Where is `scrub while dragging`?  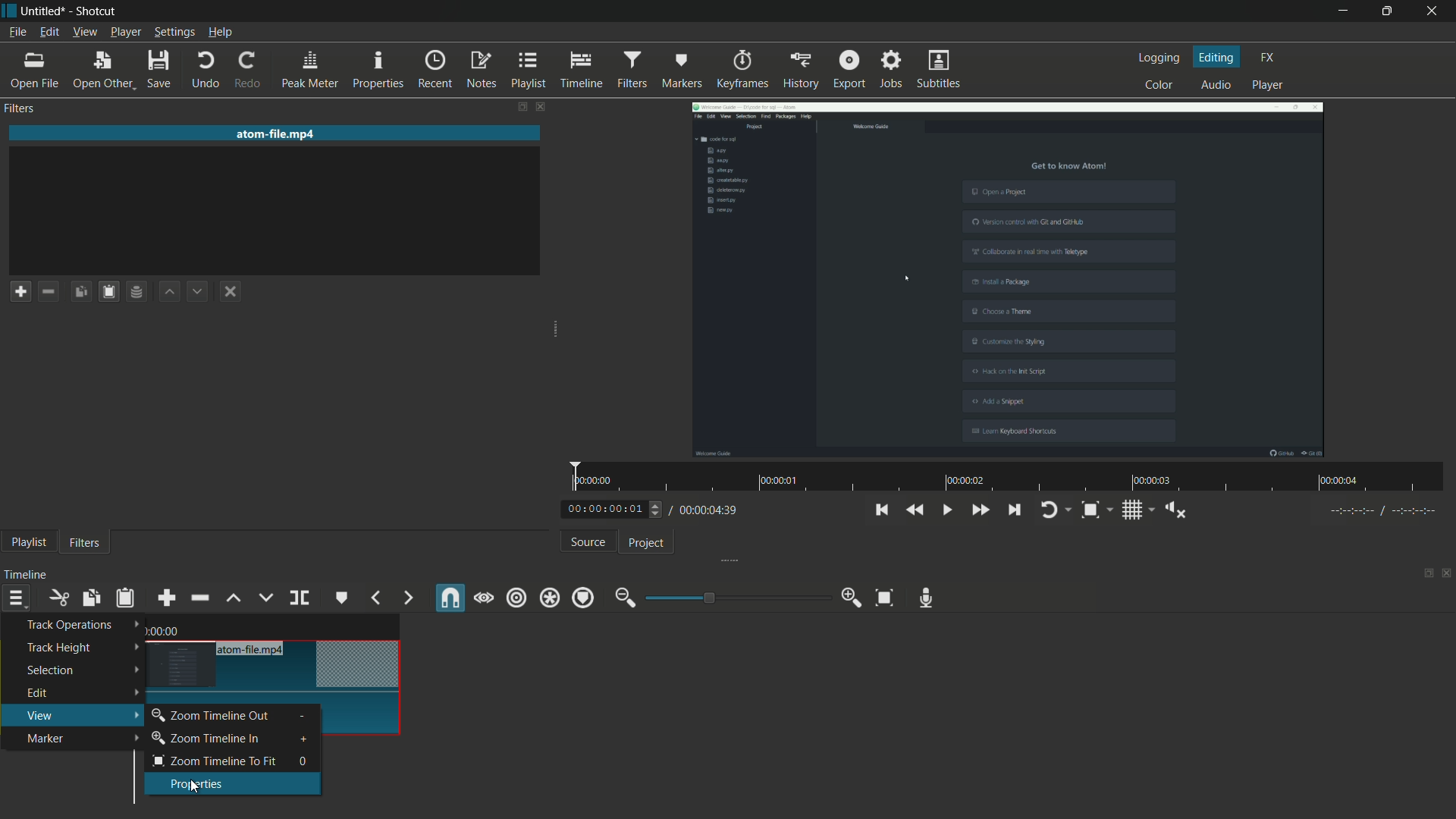
scrub while dragging is located at coordinates (483, 599).